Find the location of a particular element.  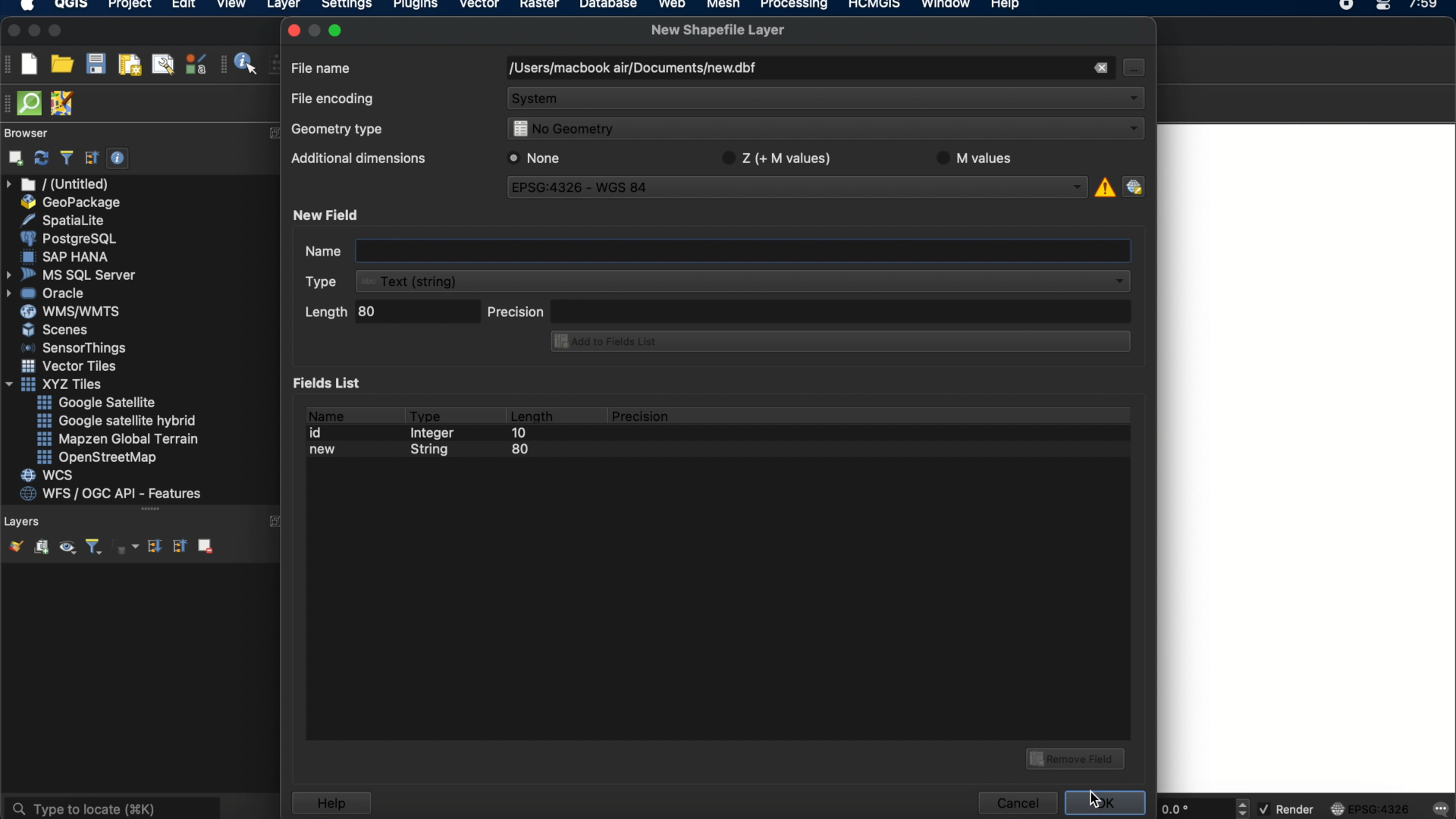

workspace is located at coordinates (1307, 457).